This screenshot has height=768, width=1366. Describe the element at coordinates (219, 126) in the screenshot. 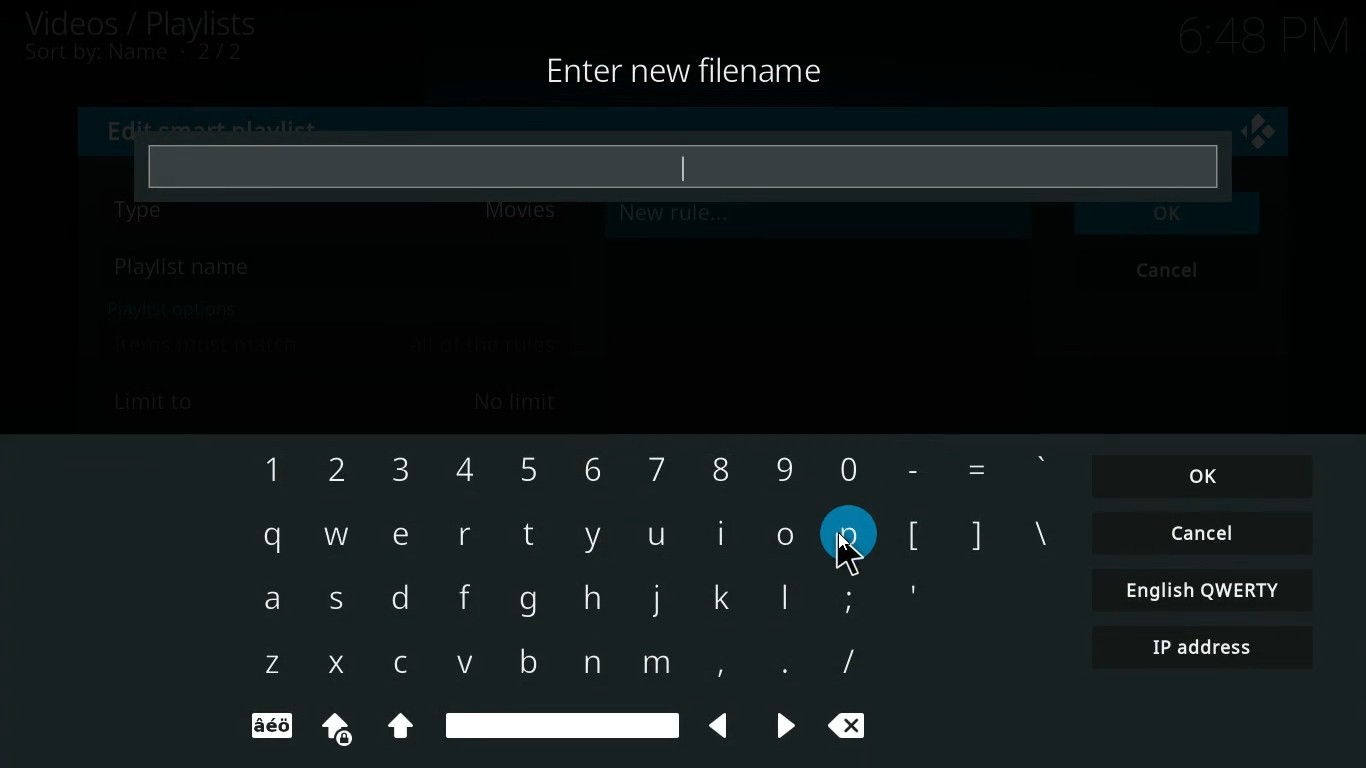

I see `edit smart playlist` at that location.